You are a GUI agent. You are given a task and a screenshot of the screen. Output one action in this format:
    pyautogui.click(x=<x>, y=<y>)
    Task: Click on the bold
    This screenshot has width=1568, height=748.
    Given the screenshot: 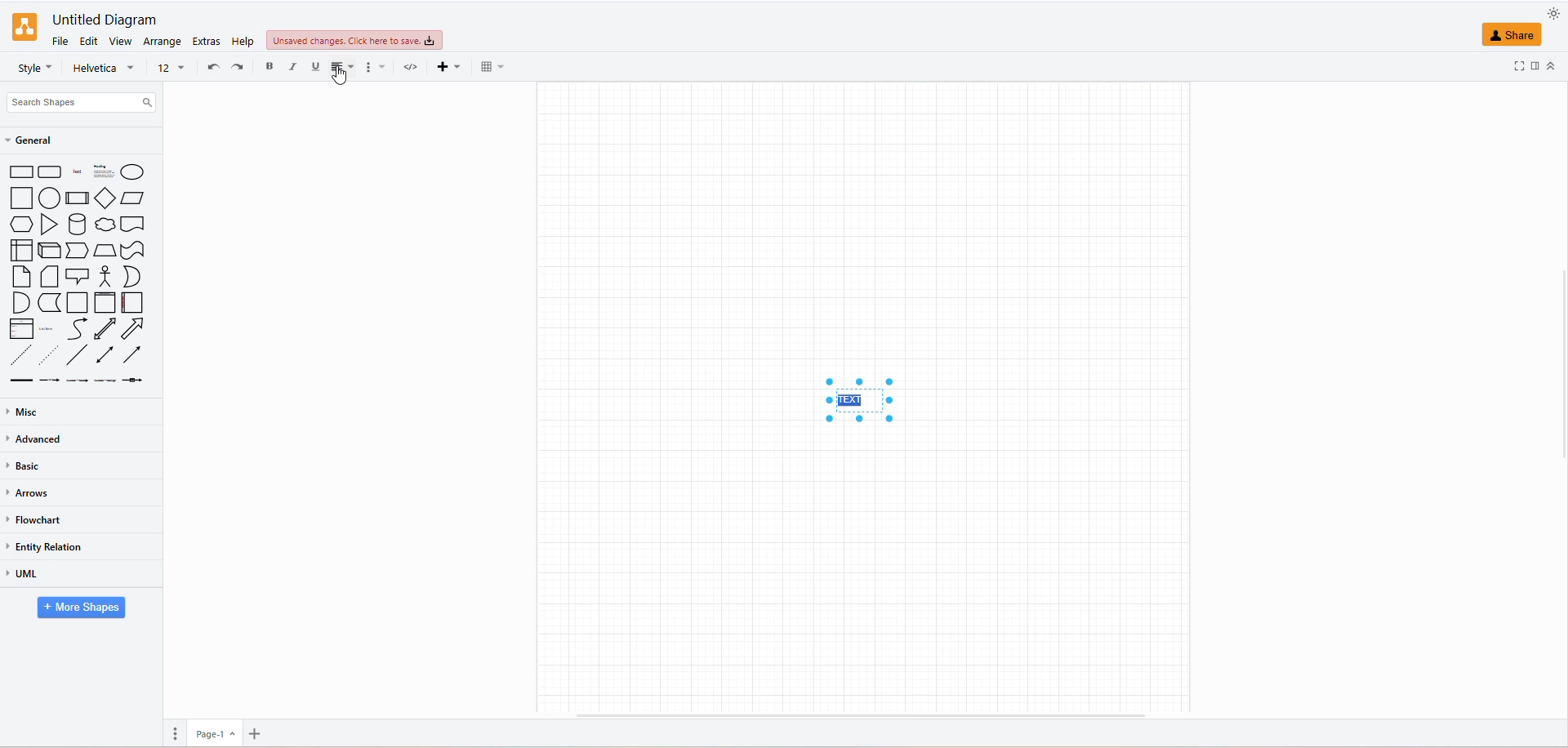 What is the action you would take?
    pyautogui.click(x=267, y=68)
    